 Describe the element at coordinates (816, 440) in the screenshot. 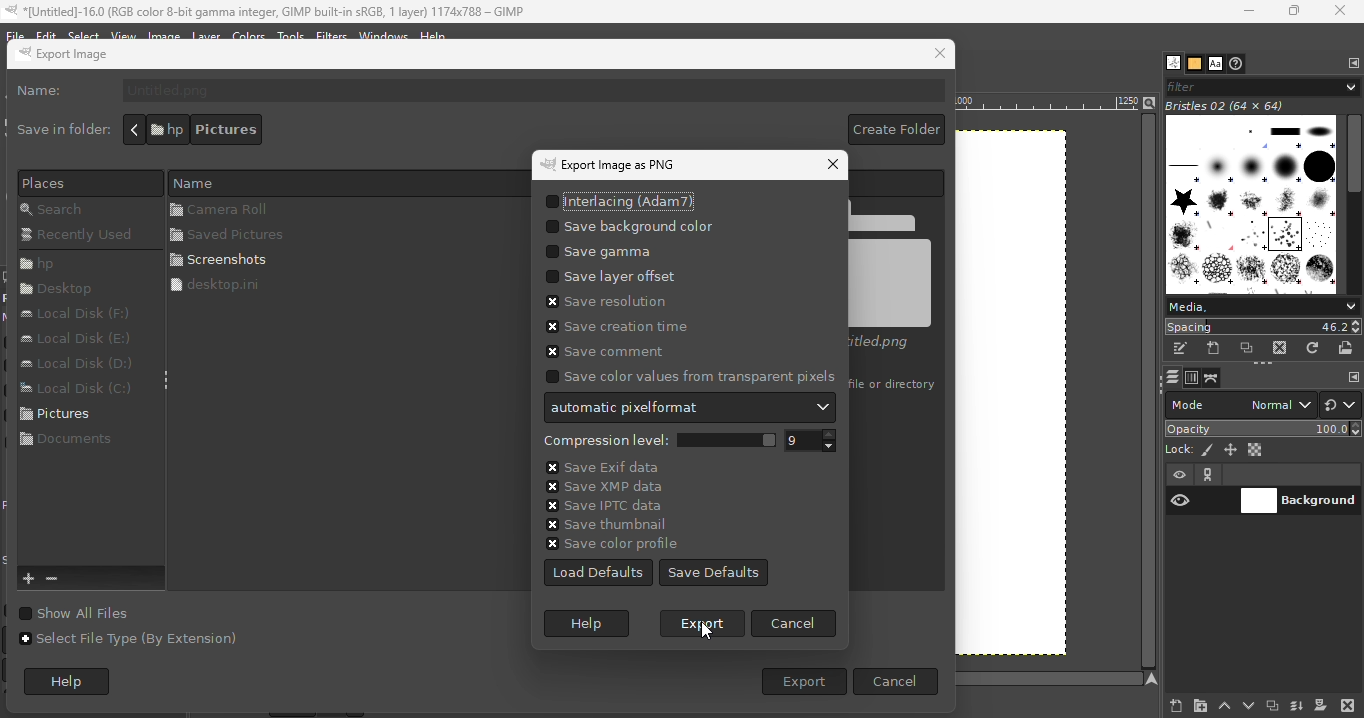

I see `9` at that location.